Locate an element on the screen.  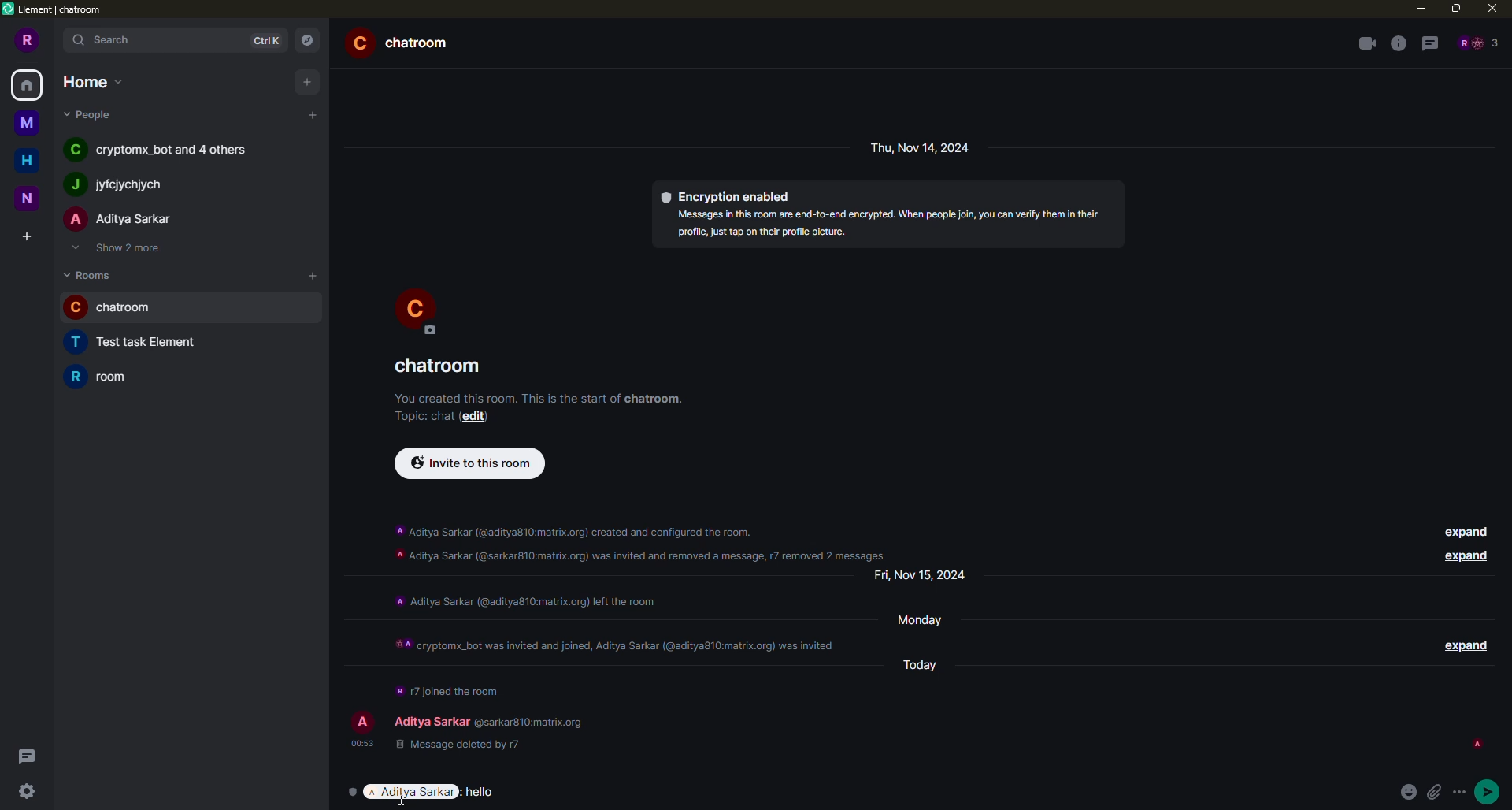
maximize is located at coordinates (1456, 7).